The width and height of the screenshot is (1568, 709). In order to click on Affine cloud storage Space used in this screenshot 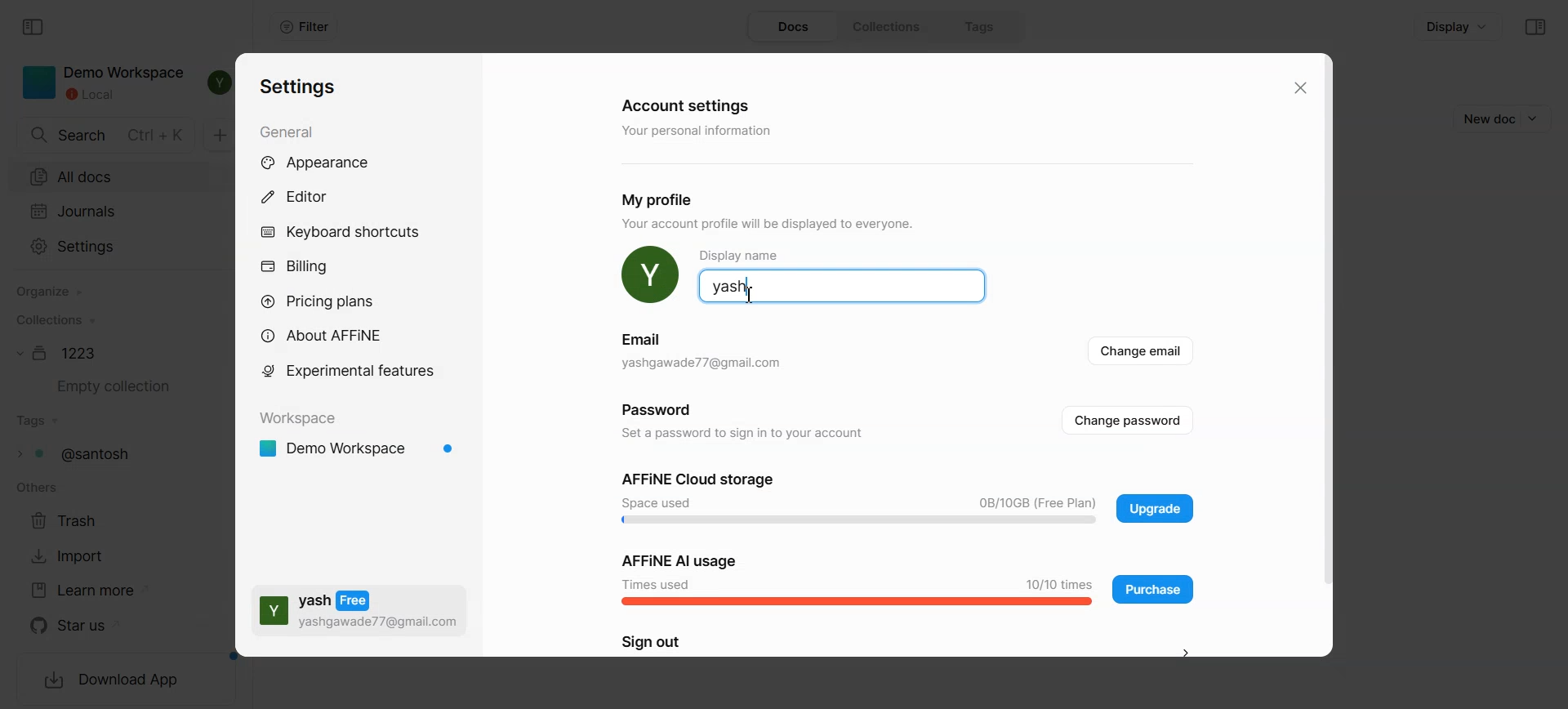, I will do `click(859, 498)`.